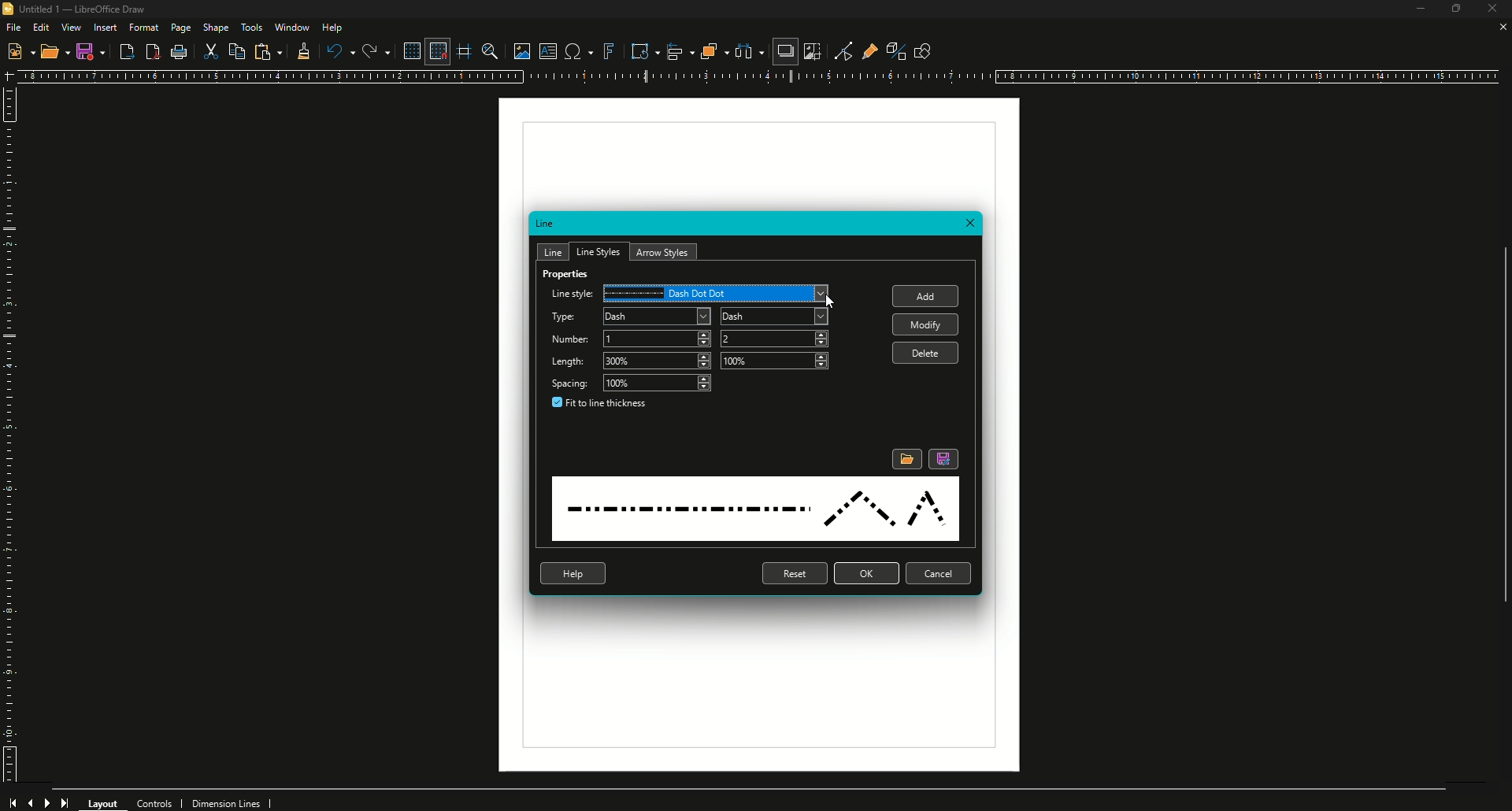  I want to click on Restore, so click(1454, 10).